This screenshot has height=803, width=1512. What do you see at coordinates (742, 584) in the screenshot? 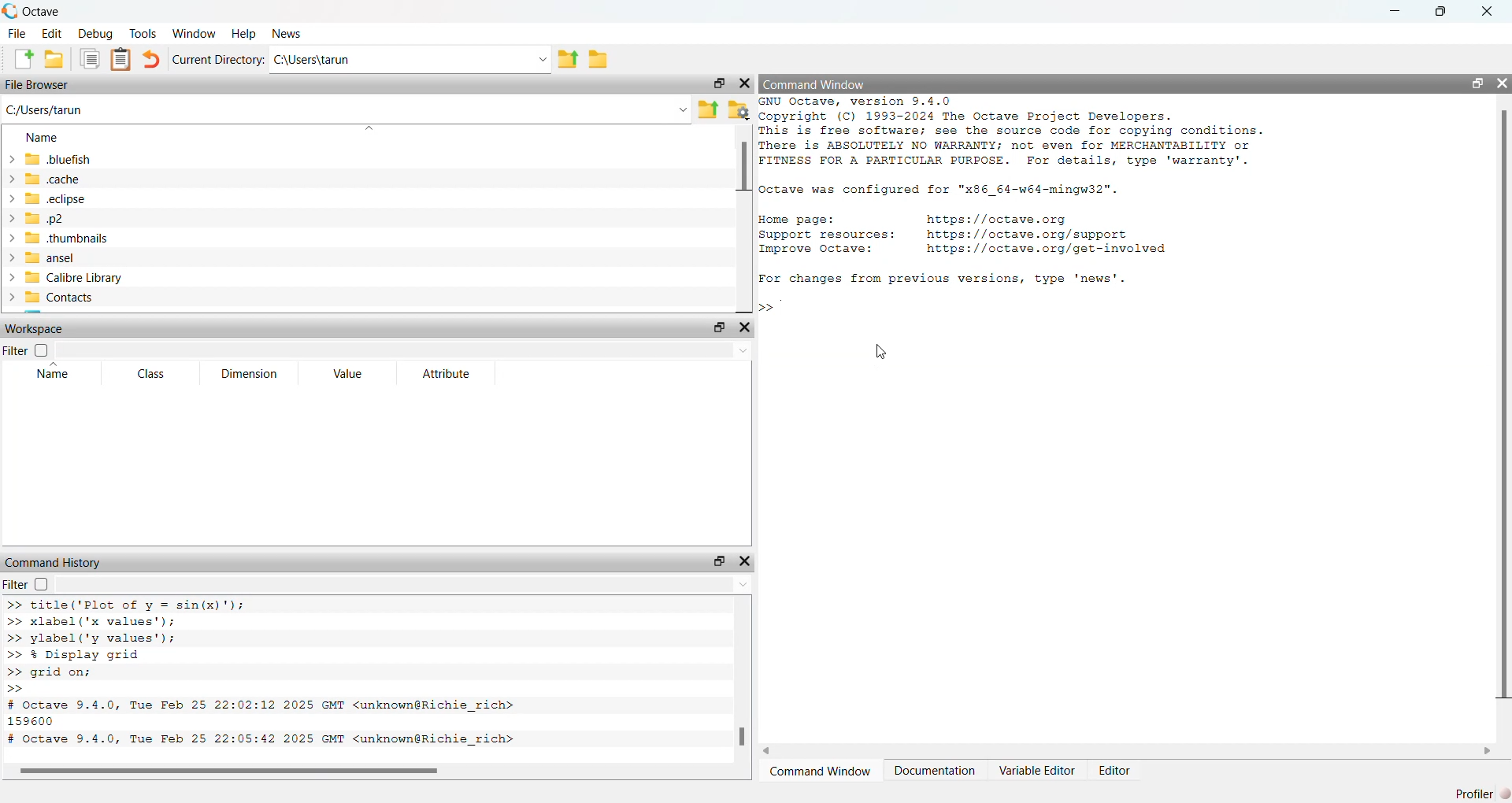
I see `down` at bounding box center [742, 584].